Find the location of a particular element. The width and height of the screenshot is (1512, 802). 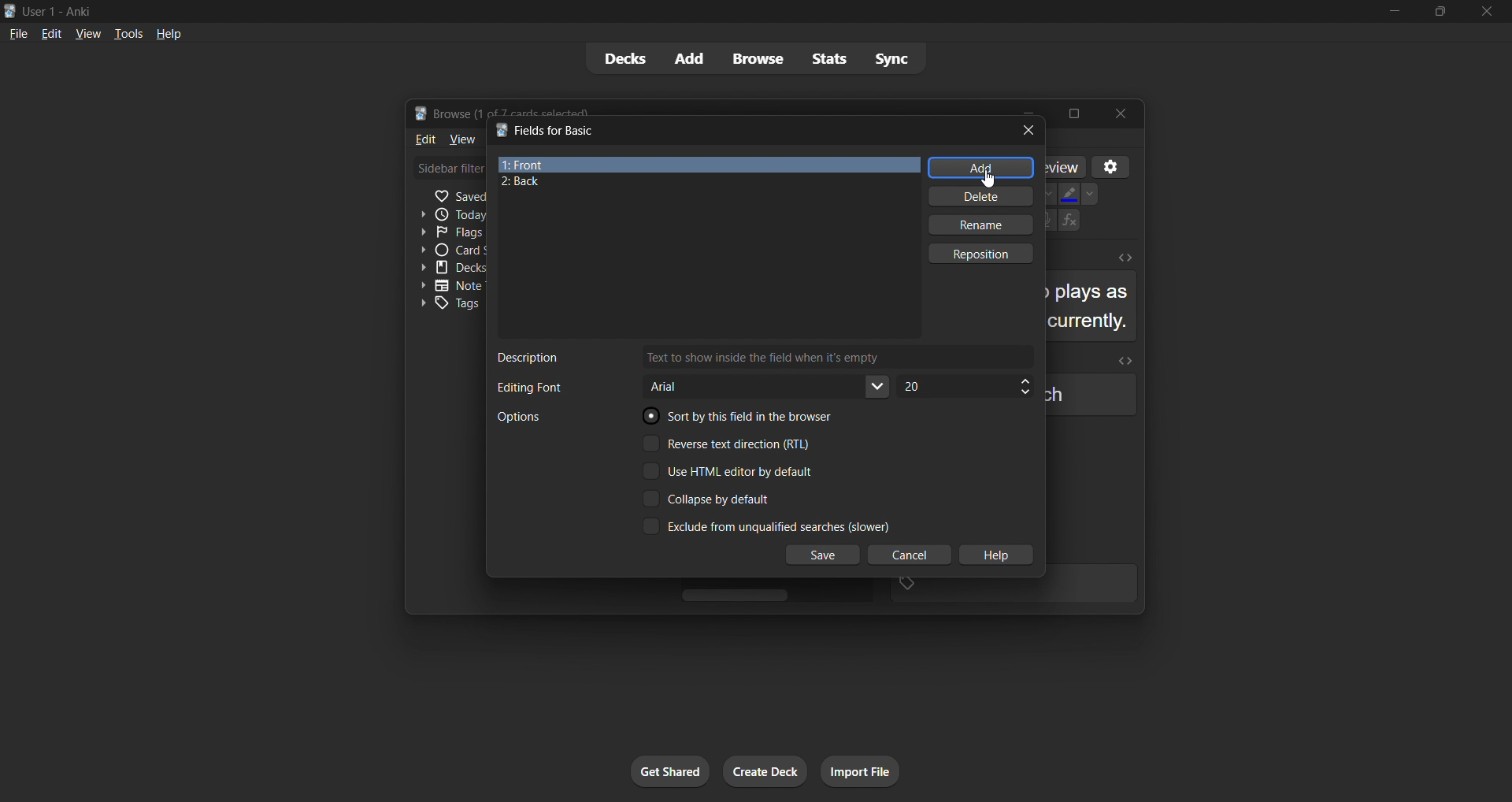

rename field is located at coordinates (982, 227).